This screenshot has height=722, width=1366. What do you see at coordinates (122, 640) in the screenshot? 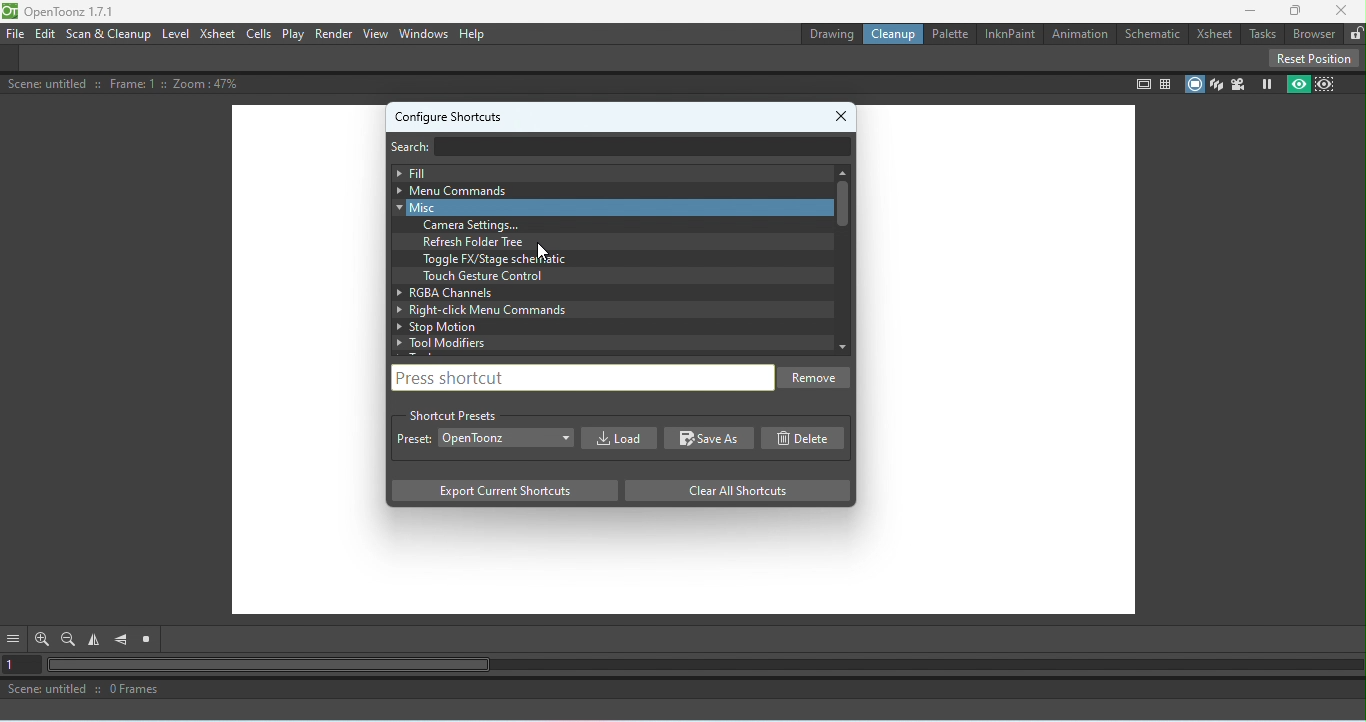
I see `Flip vertically` at bounding box center [122, 640].